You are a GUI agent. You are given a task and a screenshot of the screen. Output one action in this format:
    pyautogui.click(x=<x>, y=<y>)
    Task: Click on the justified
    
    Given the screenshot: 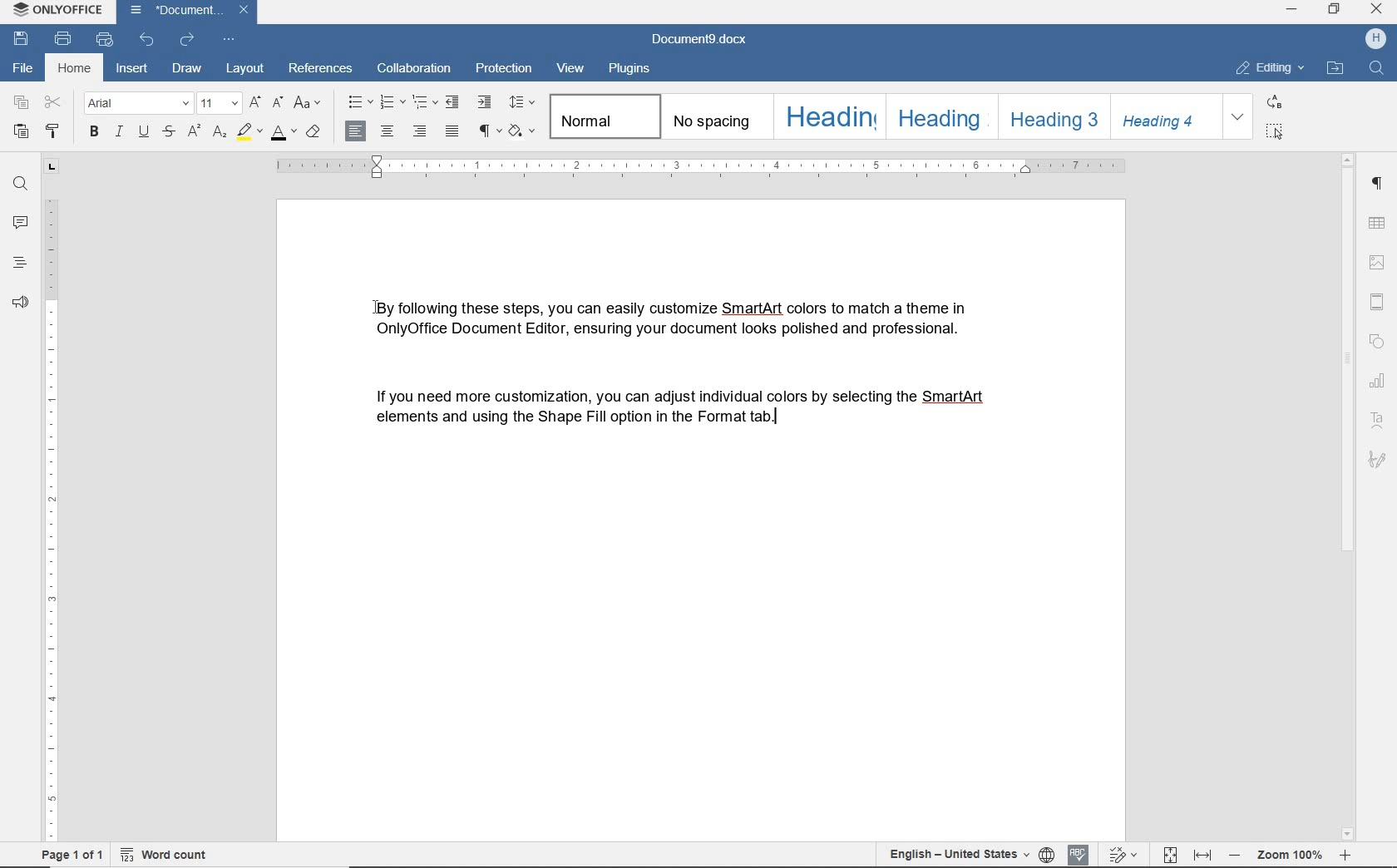 What is the action you would take?
    pyautogui.click(x=449, y=133)
    